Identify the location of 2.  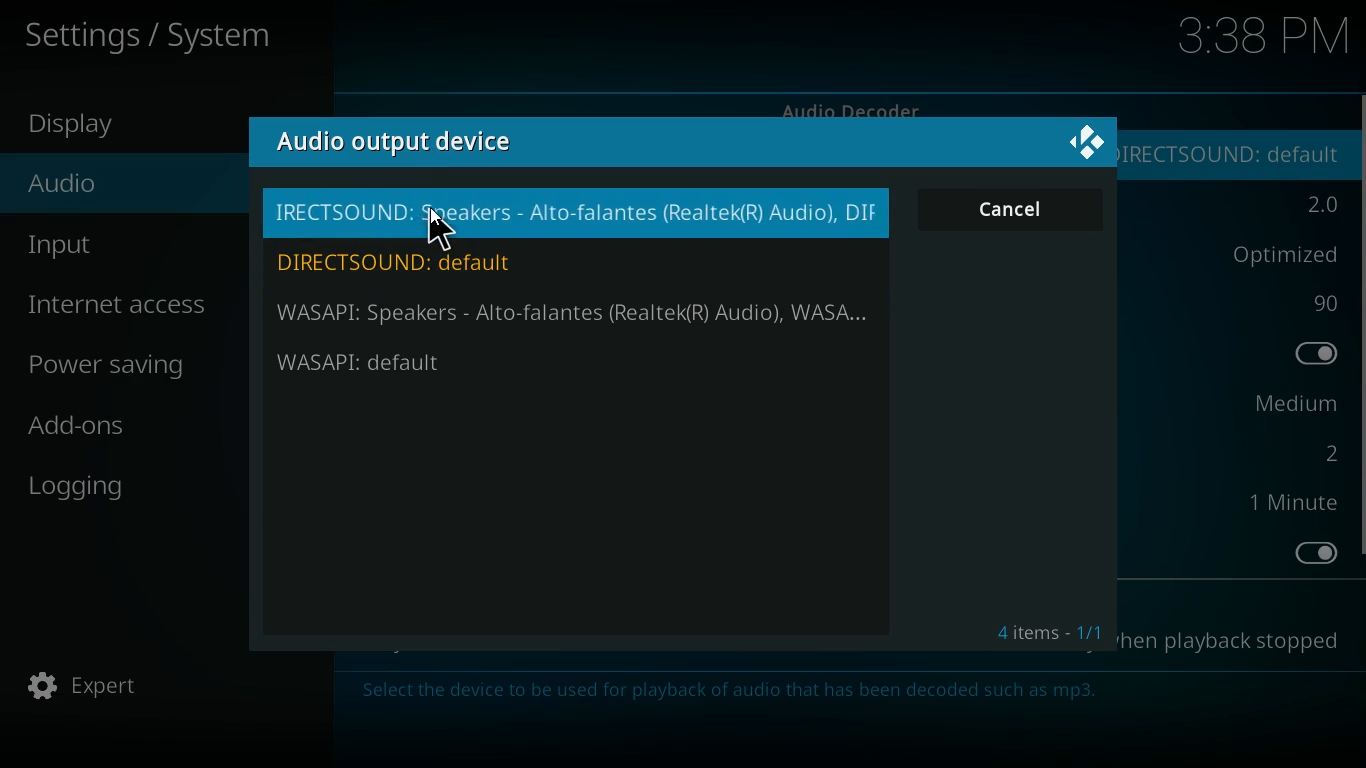
(1327, 454).